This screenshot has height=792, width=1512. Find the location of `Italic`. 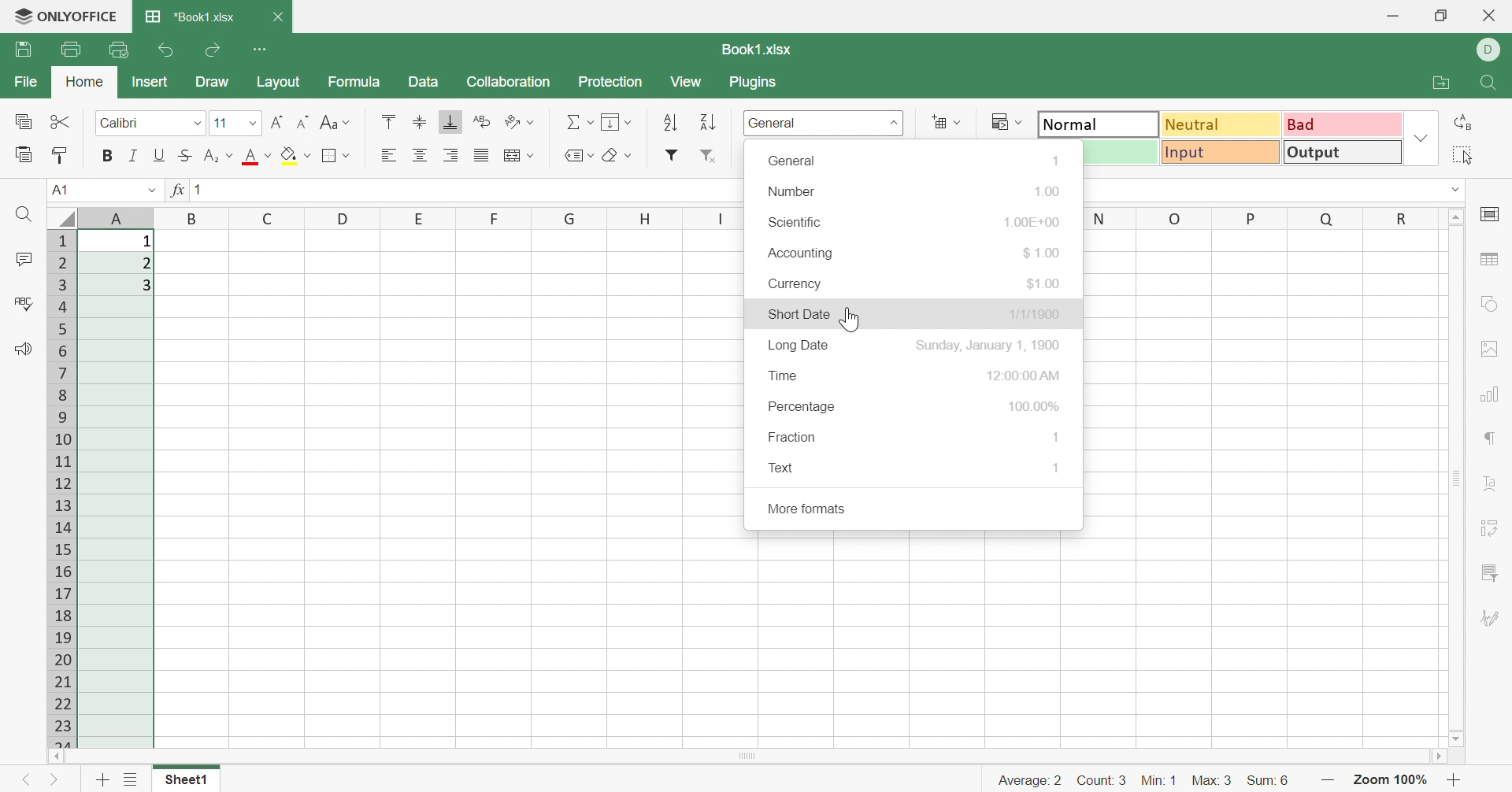

Italic is located at coordinates (133, 155).